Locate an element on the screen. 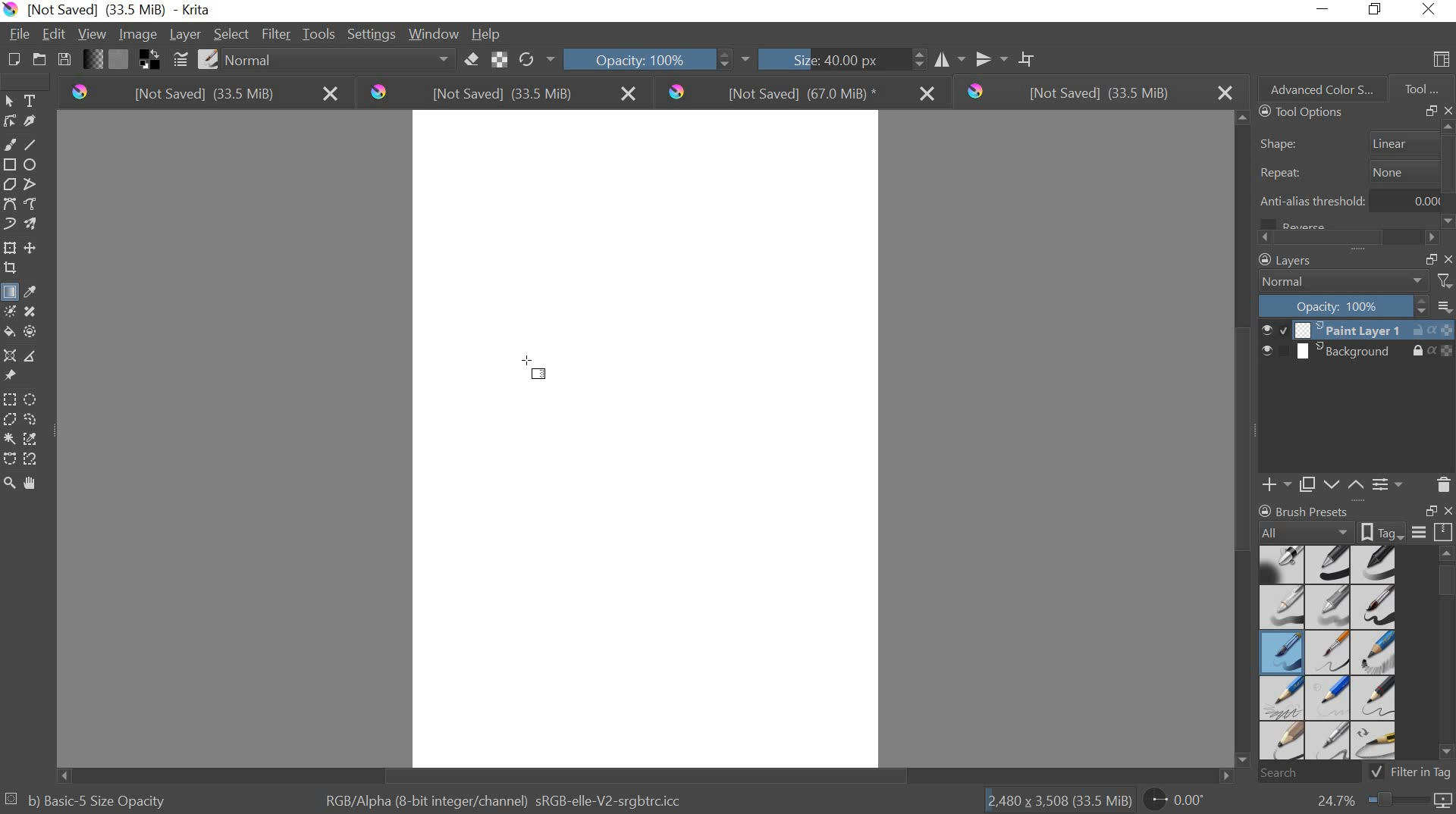 The width and height of the screenshot is (1456, 814). edit shapes is located at coordinates (12, 121).